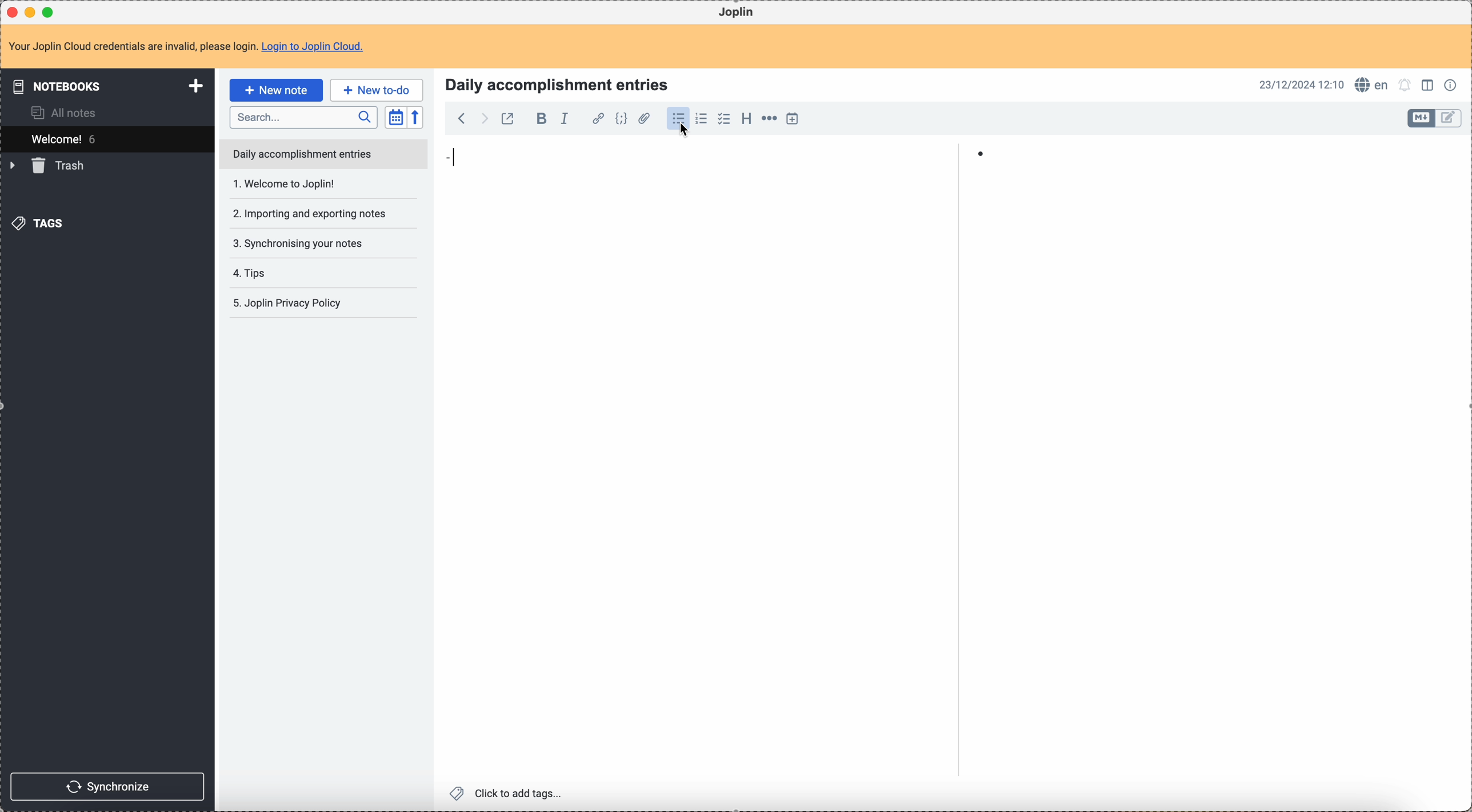  What do you see at coordinates (309, 245) in the screenshot?
I see `tips` at bounding box center [309, 245].